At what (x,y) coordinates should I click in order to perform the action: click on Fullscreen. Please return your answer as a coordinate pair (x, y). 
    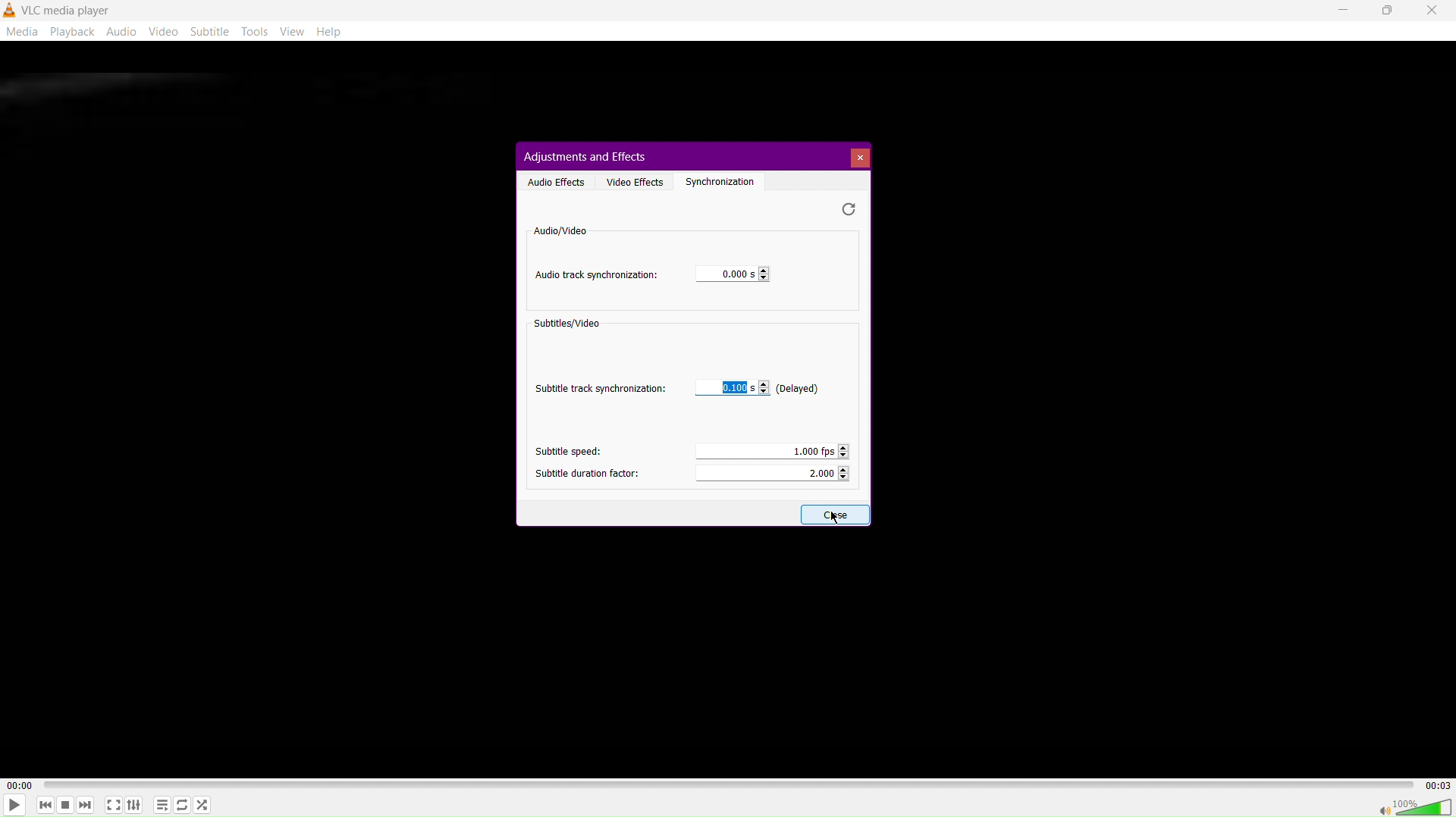
    Looking at the image, I should click on (113, 805).